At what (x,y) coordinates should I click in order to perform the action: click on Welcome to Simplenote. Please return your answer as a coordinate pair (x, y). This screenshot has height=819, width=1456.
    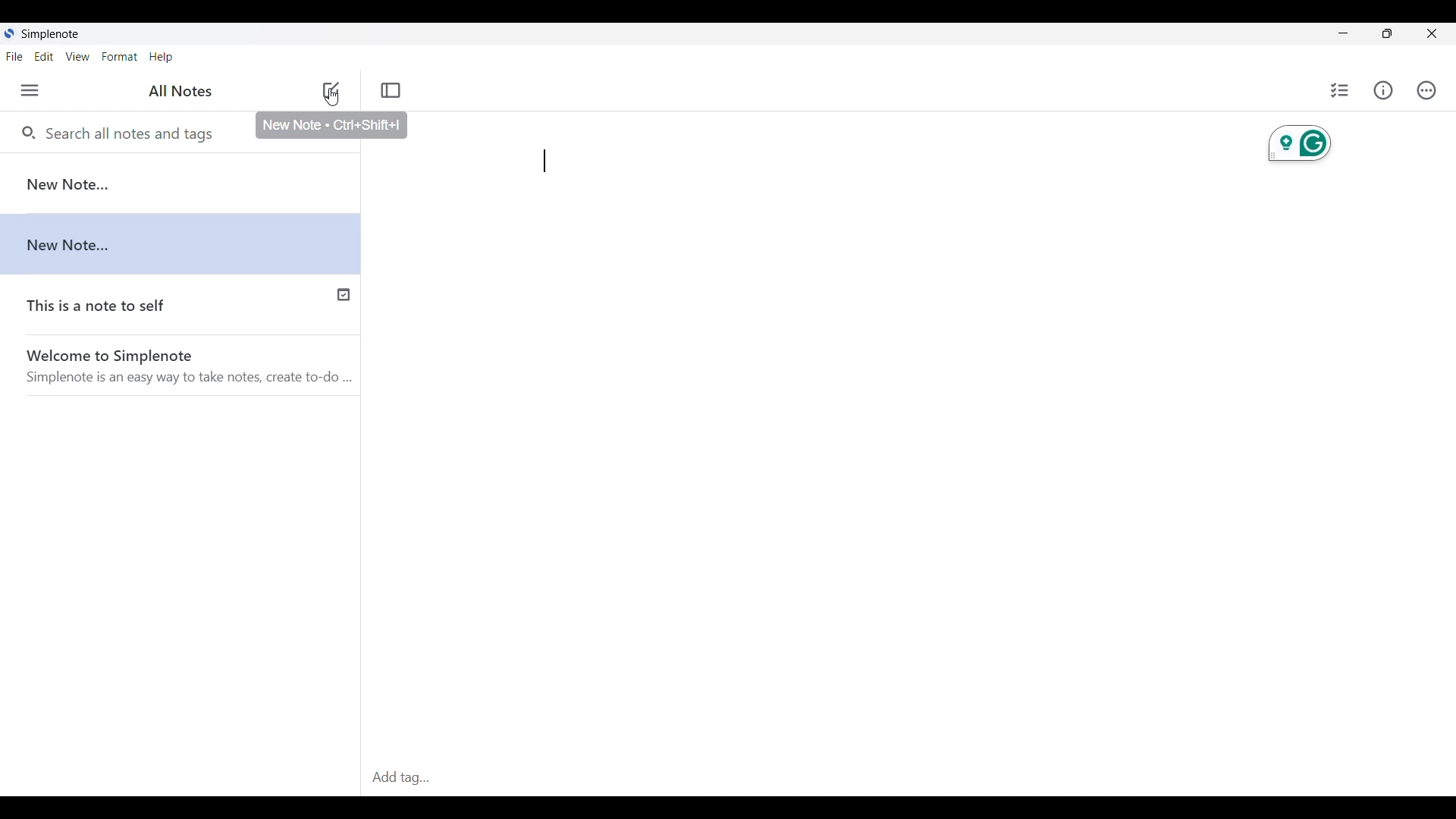
    Looking at the image, I should click on (180, 366).